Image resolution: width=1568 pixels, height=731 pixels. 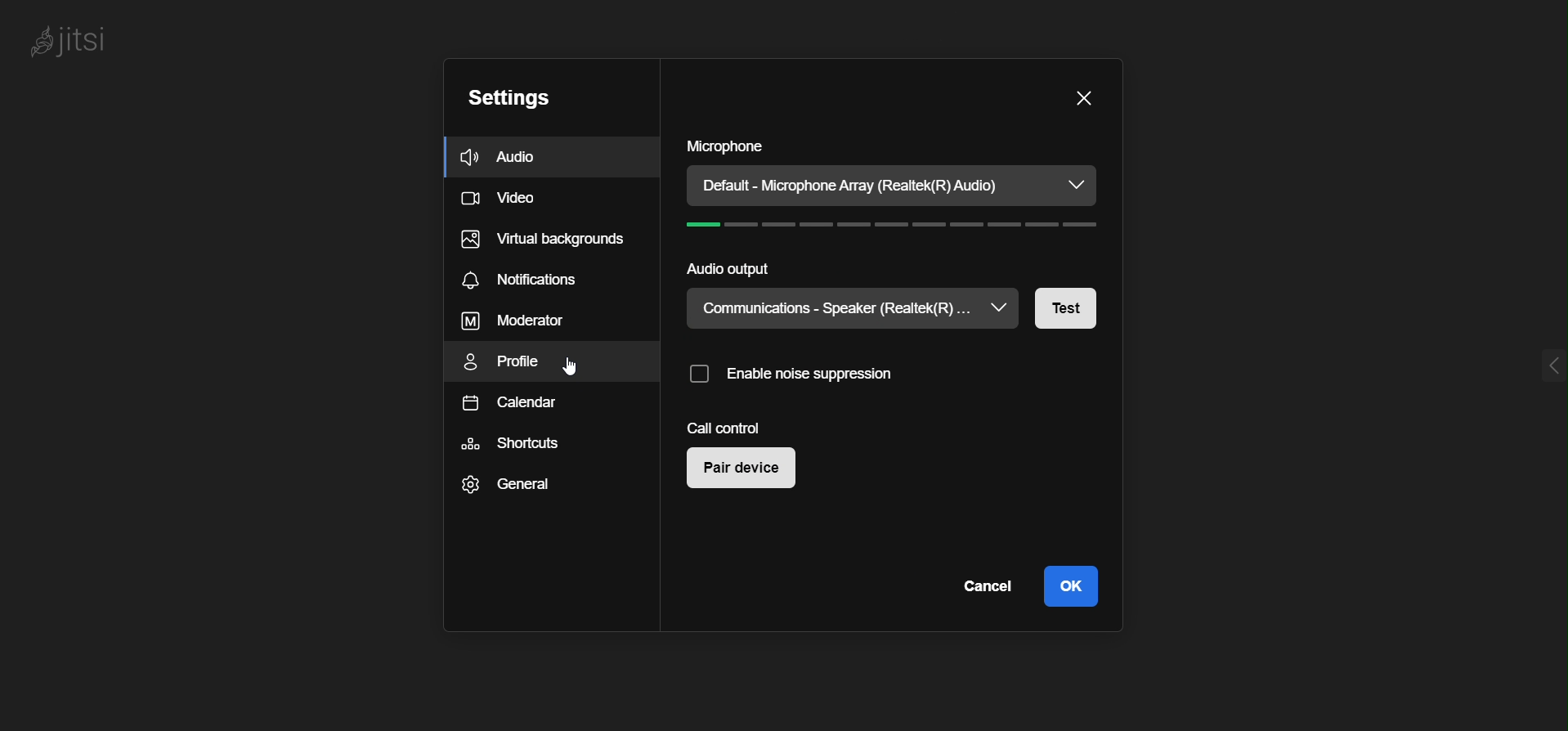 I want to click on expand, so click(x=1545, y=361).